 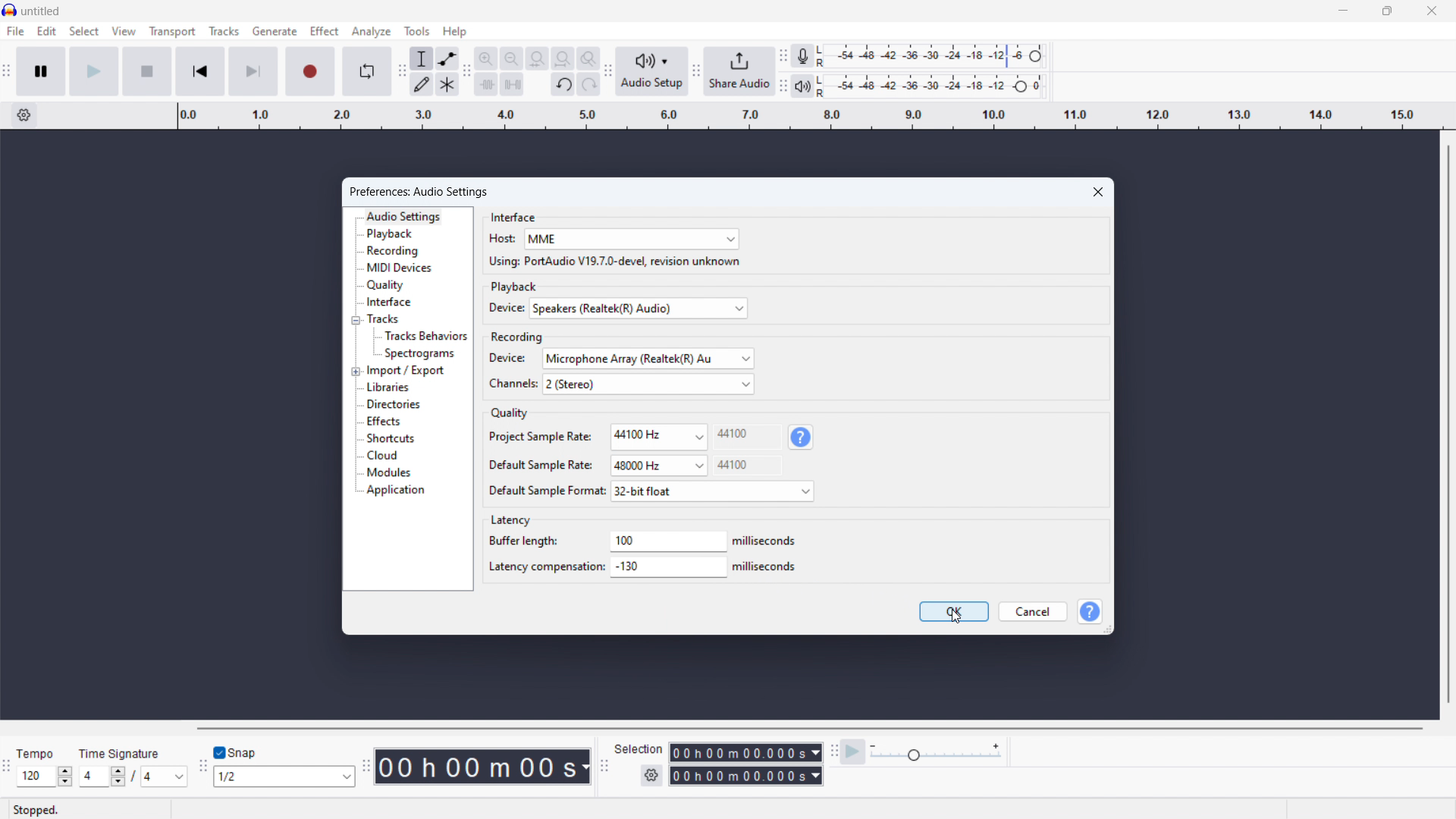 I want to click on tracks, so click(x=384, y=318).